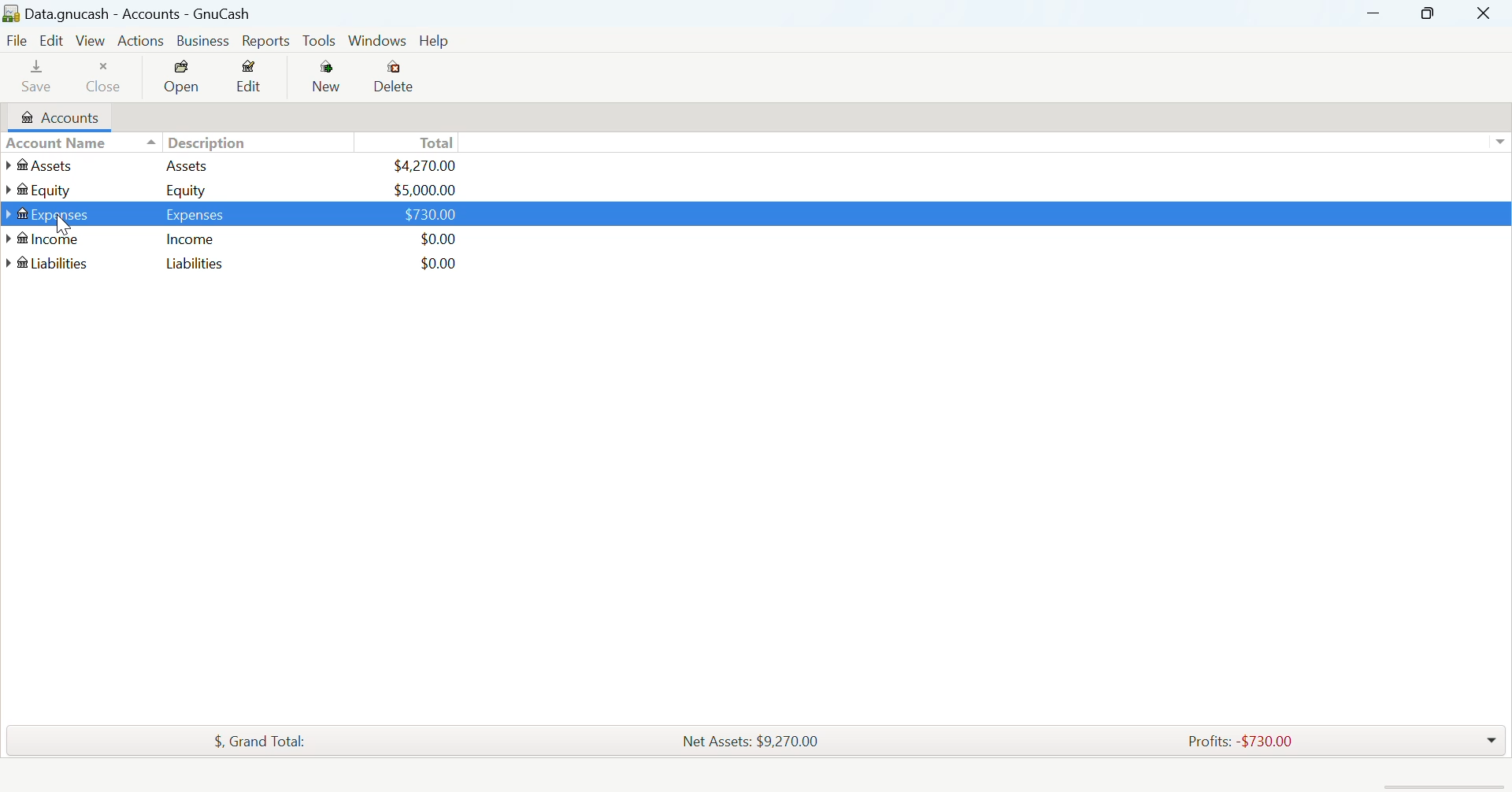 Image resolution: width=1512 pixels, height=792 pixels. Describe the element at coordinates (269, 742) in the screenshot. I see `$ Grand Total` at that location.